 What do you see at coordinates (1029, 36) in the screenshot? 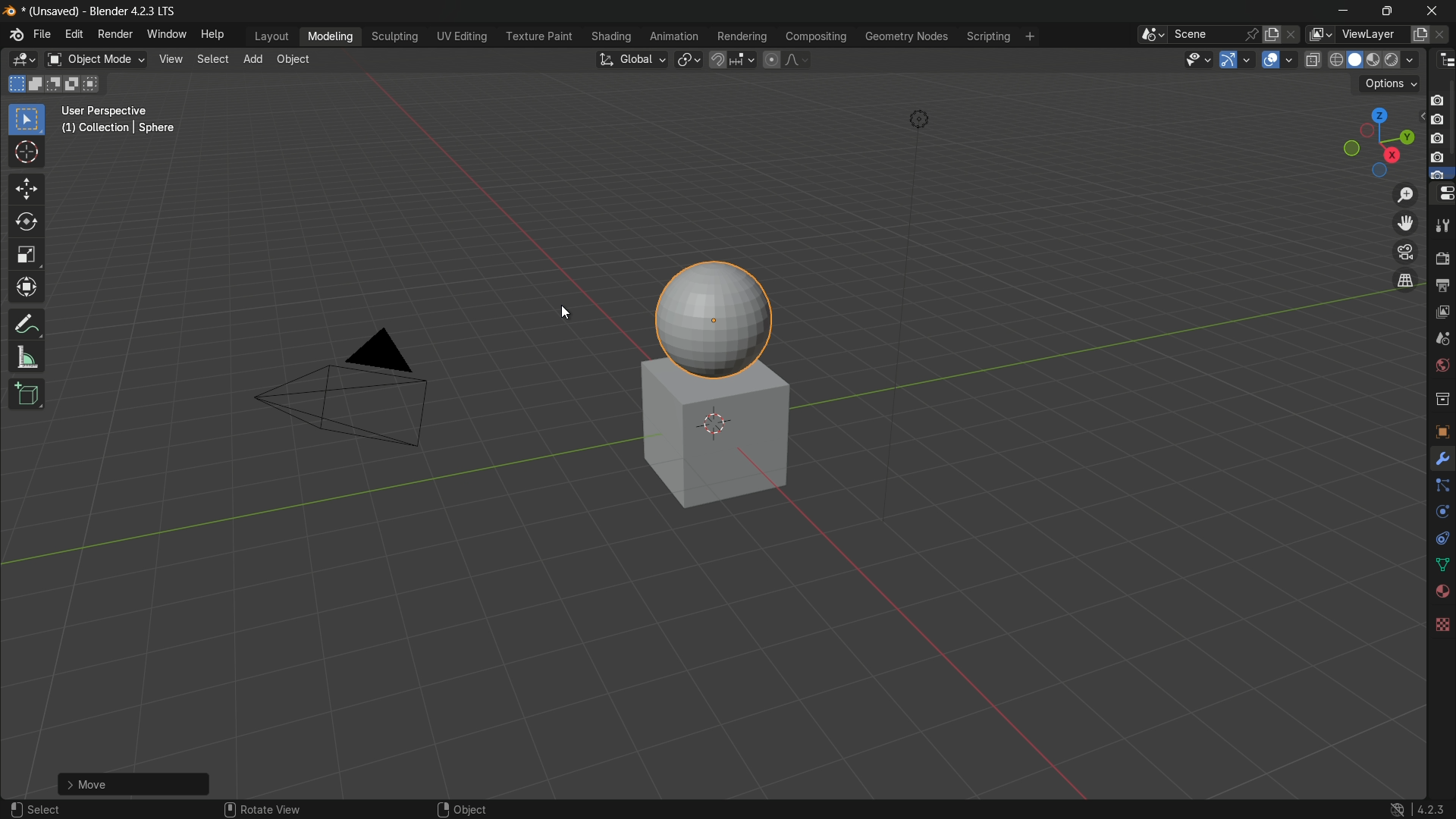
I see `add workplace` at bounding box center [1029, 36].